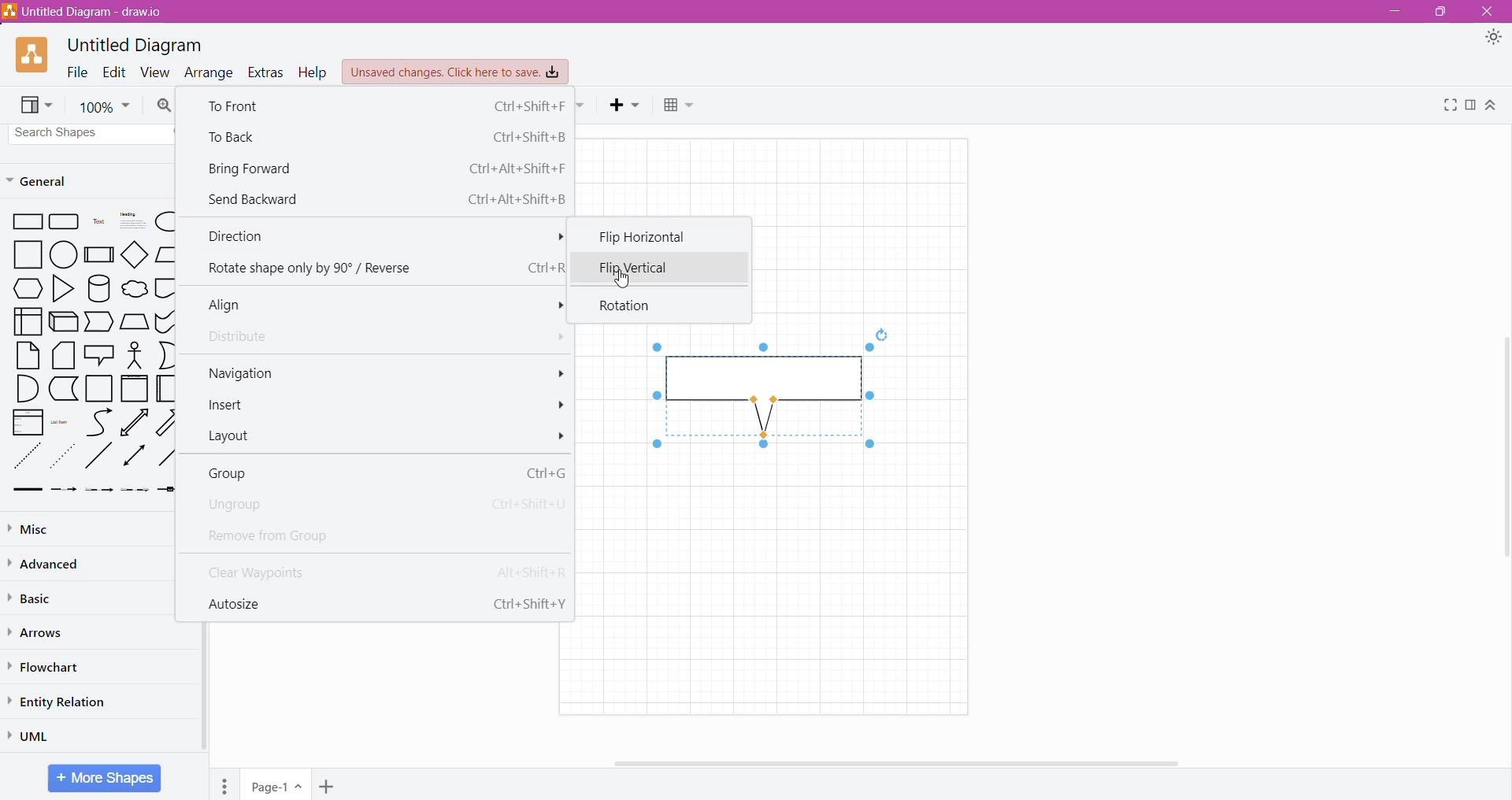 This screenshot has height=800, width=1512. I want to click on Canvas area, so click(784, 580).